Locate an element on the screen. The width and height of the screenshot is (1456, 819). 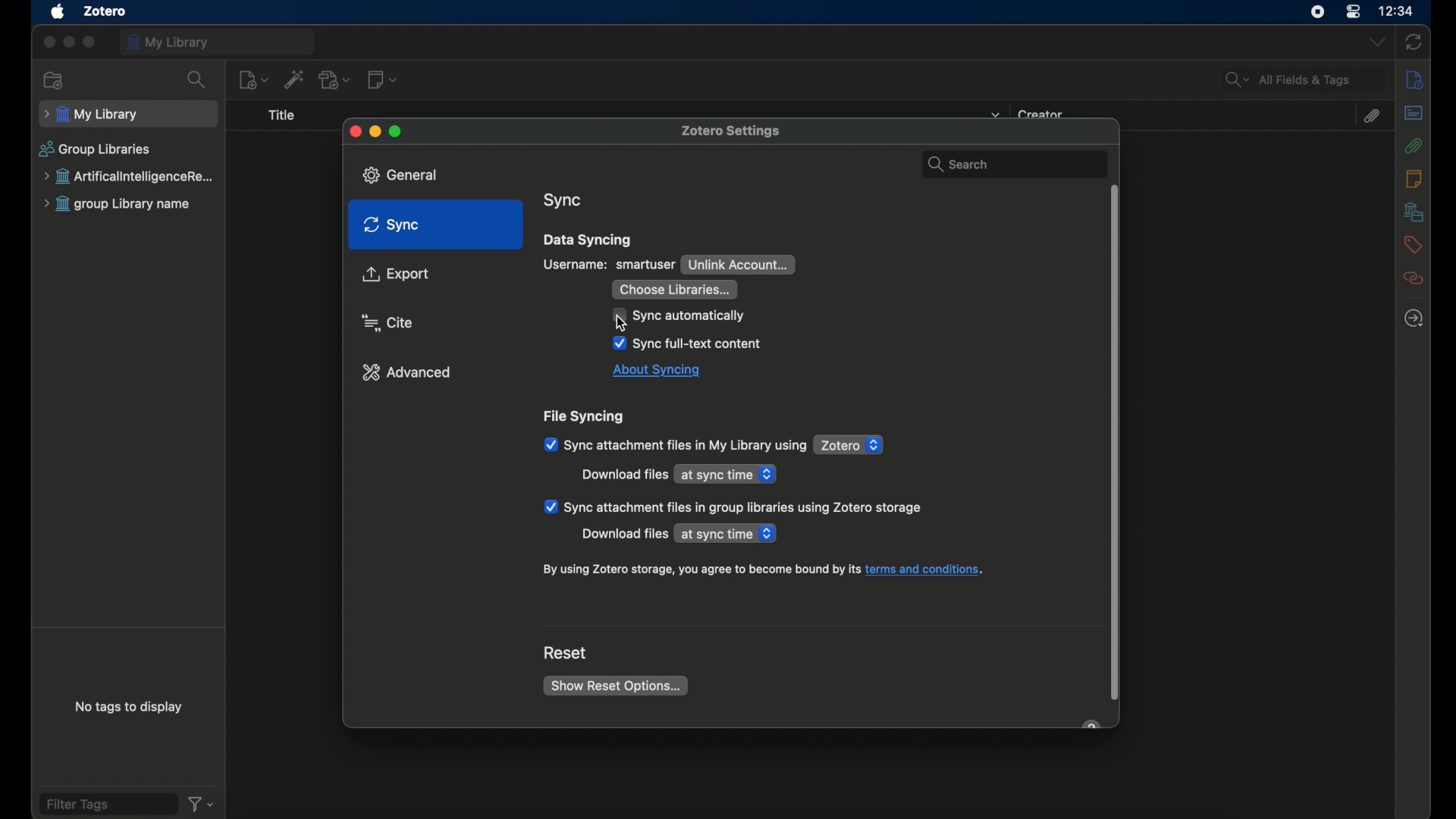
file syncing is located at coordinates (586, 417).